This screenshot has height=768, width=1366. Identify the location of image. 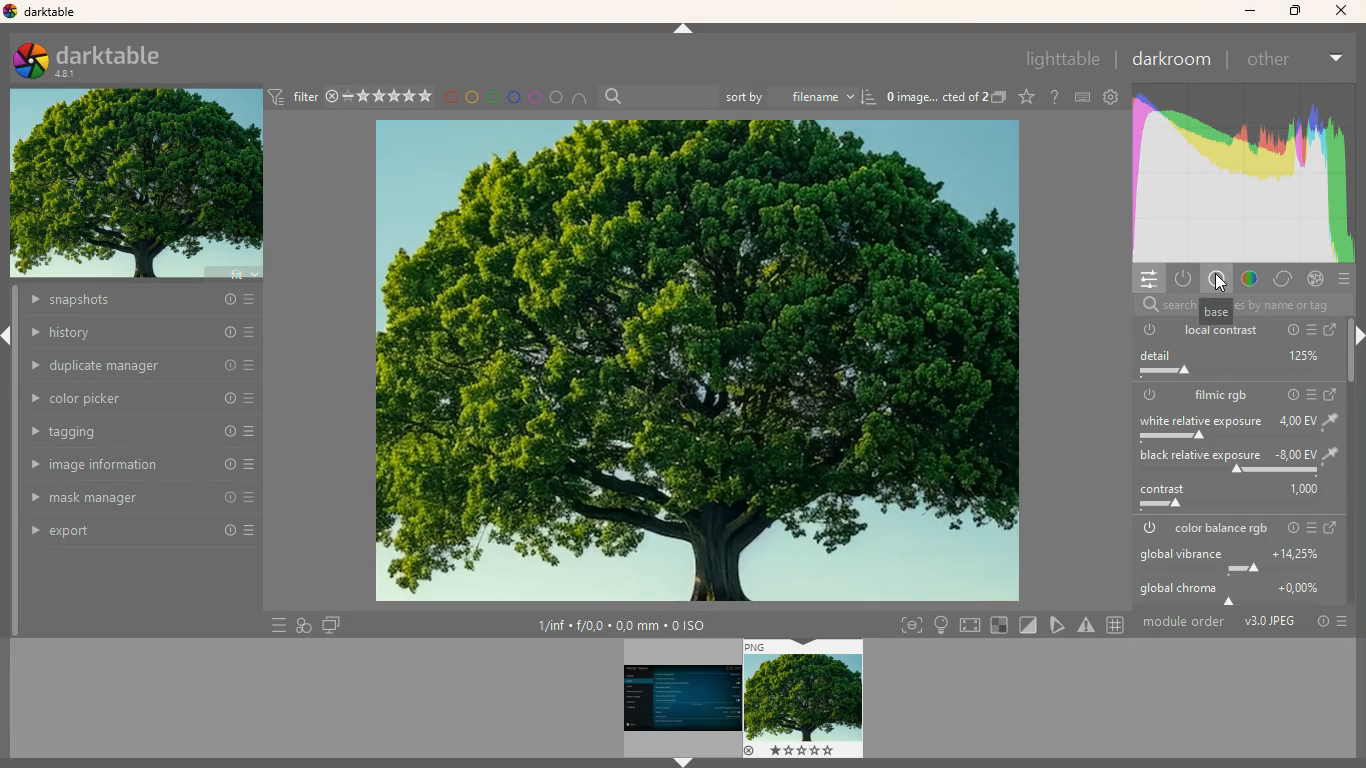
(803, 697).